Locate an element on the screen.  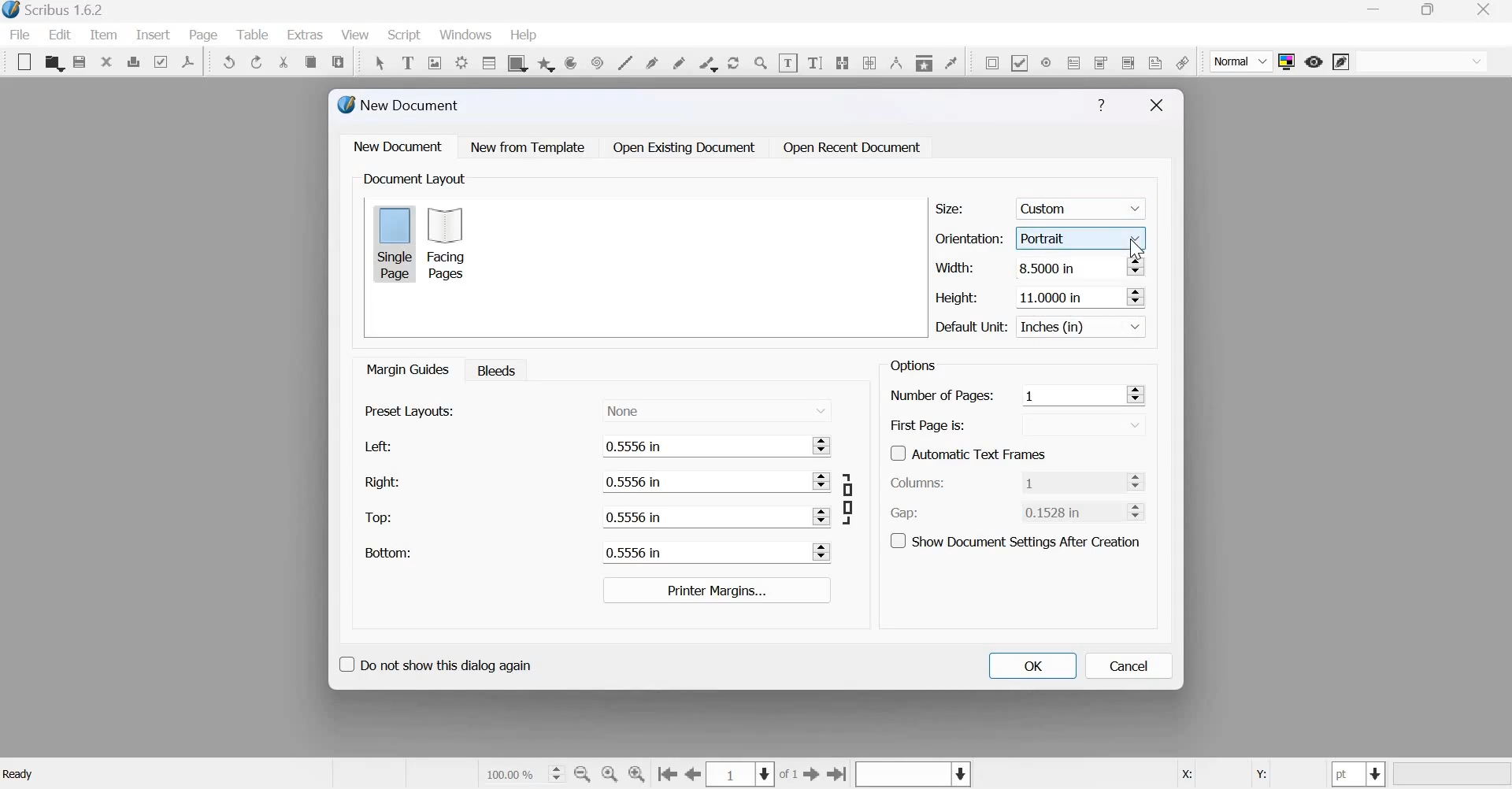
11.0000 in is located at coordinates (1059, 296).